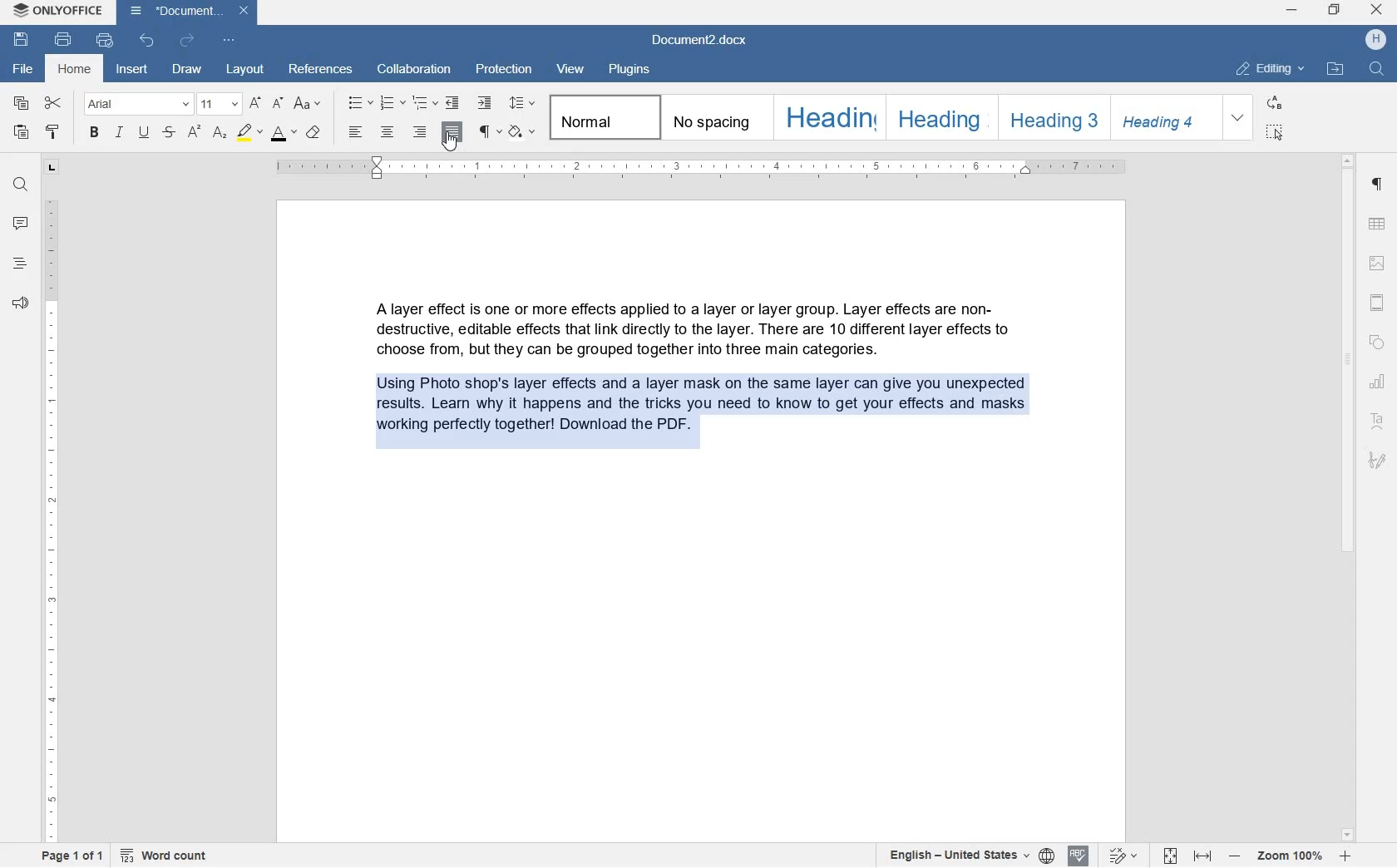 This screenshot has height=868, width=1397. I want to click on QUICK PRINT, so click(105, 39).